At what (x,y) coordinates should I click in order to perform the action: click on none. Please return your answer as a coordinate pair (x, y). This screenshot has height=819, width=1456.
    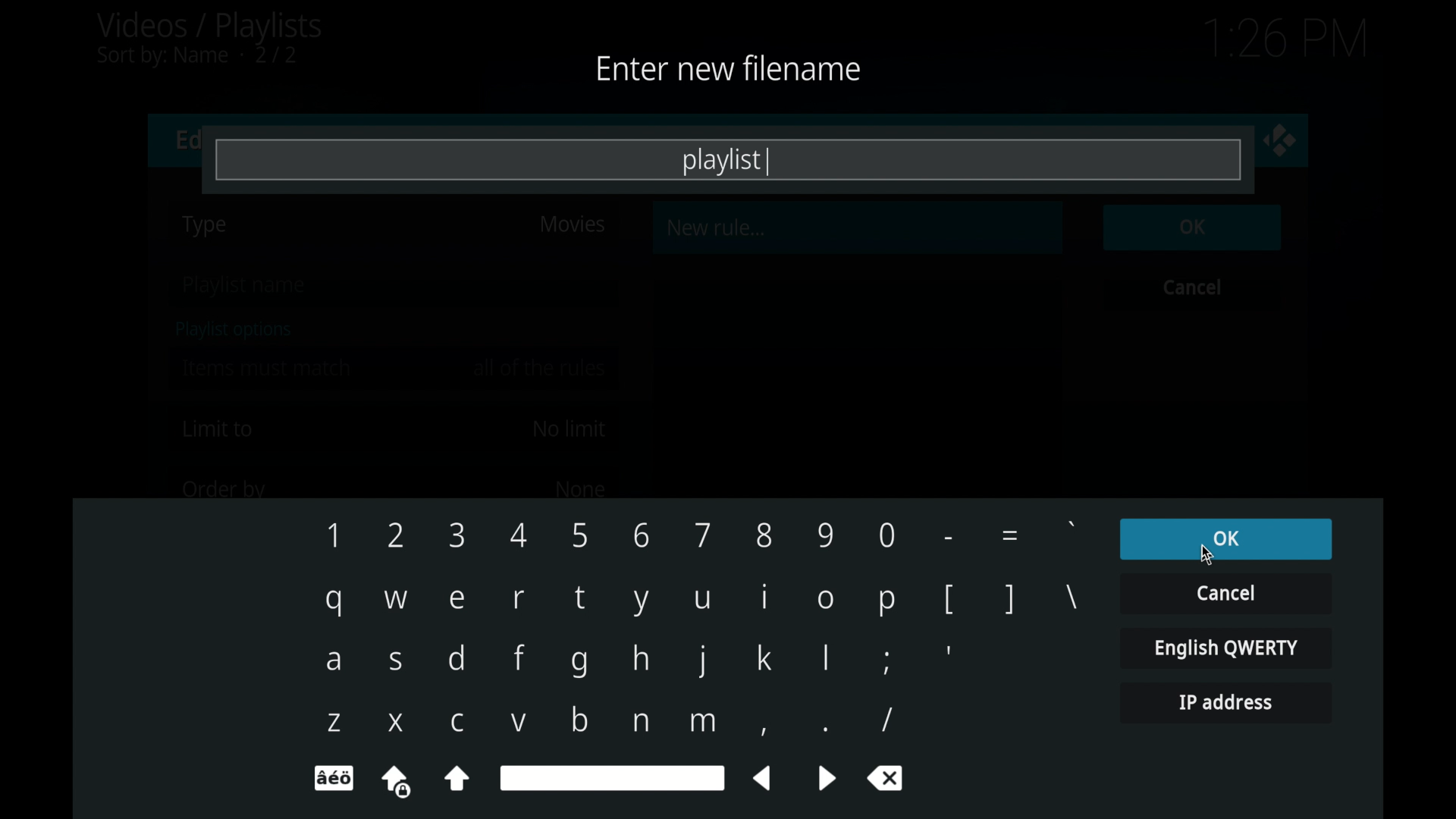
    Looking at the image, I should click on (579, 488).